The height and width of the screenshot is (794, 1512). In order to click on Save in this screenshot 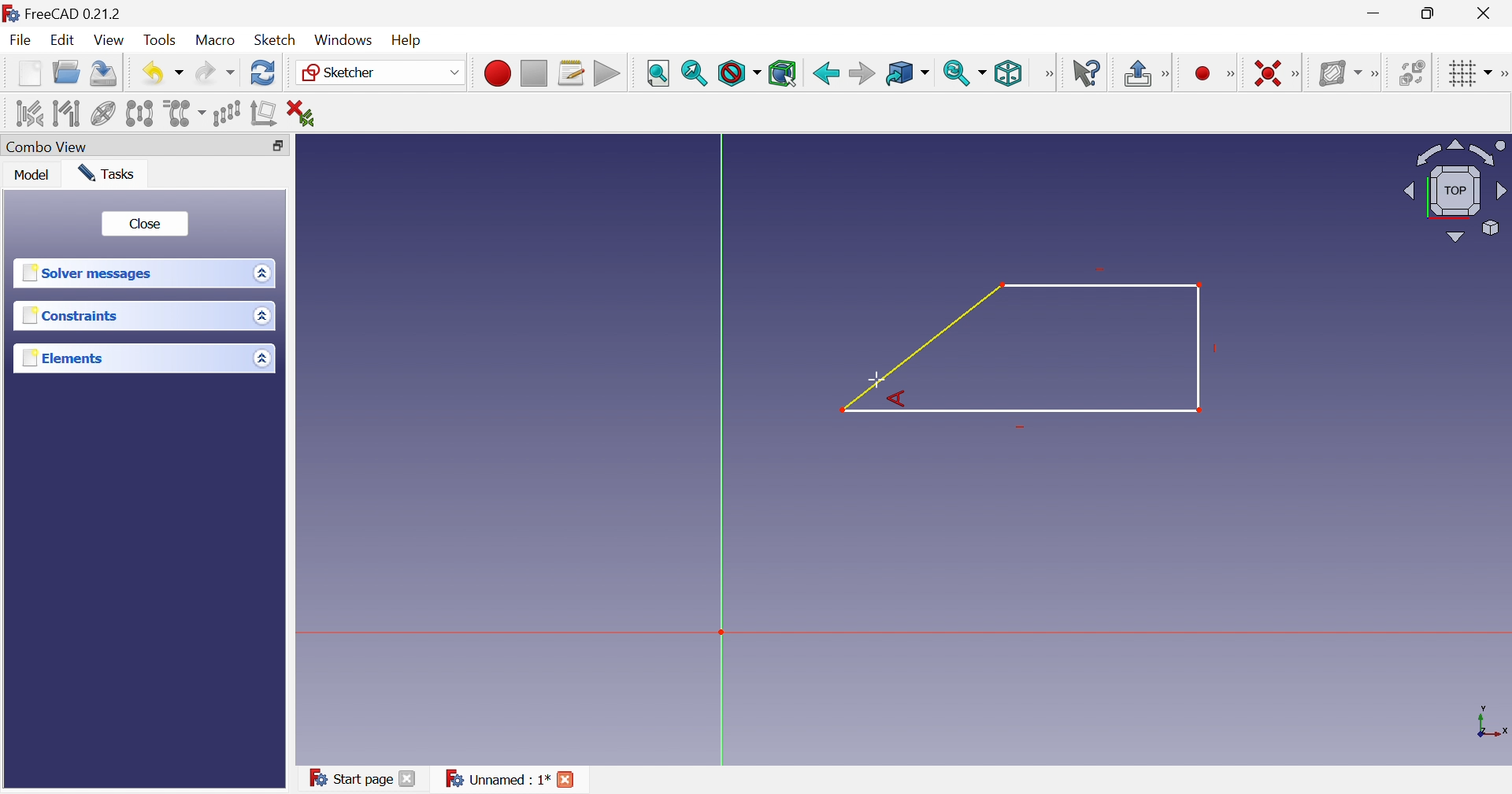, I will do `click(105, 76)`.